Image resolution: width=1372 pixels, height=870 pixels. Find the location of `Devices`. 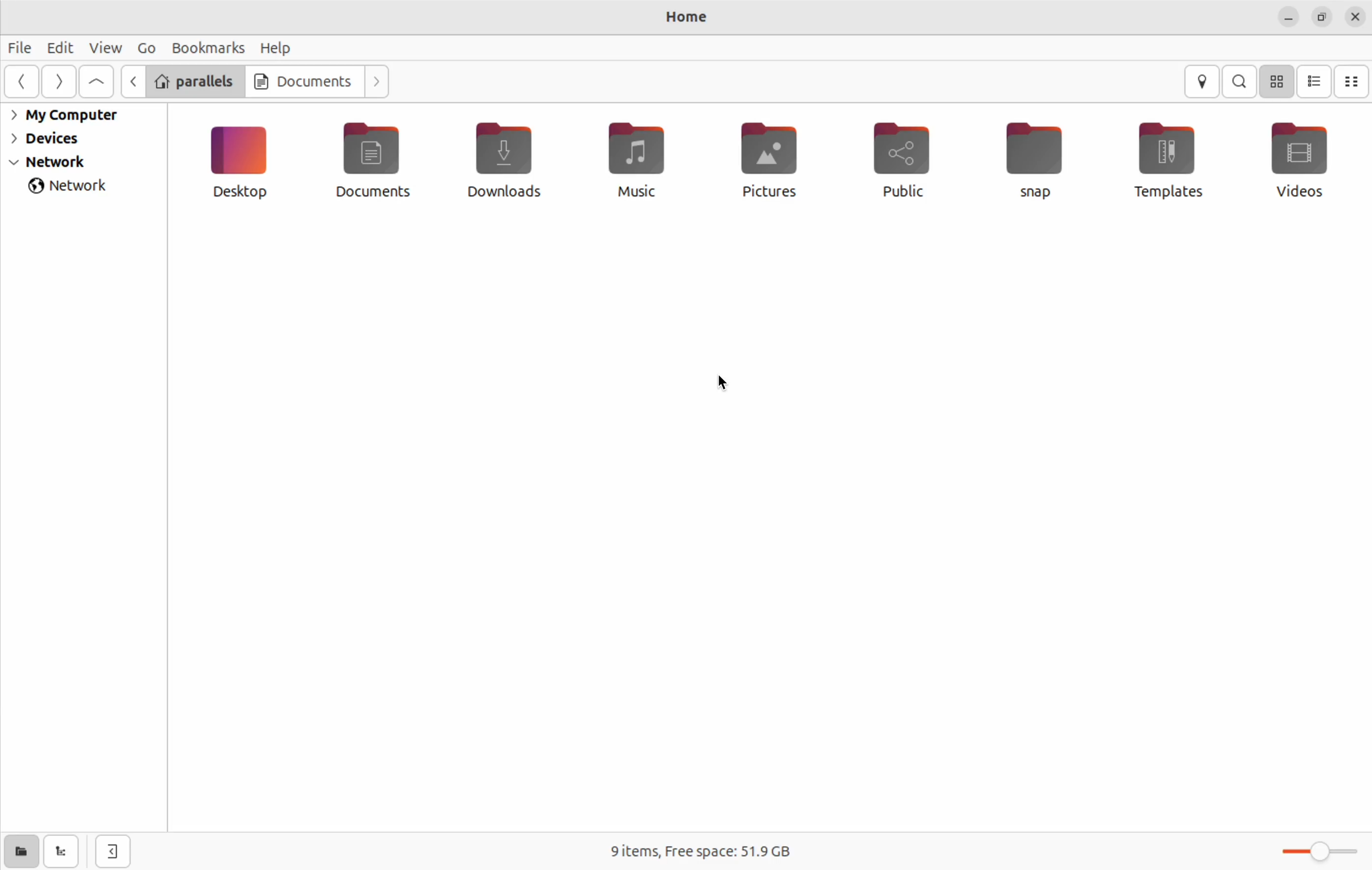

Devices is located at coordinates (56, 138).